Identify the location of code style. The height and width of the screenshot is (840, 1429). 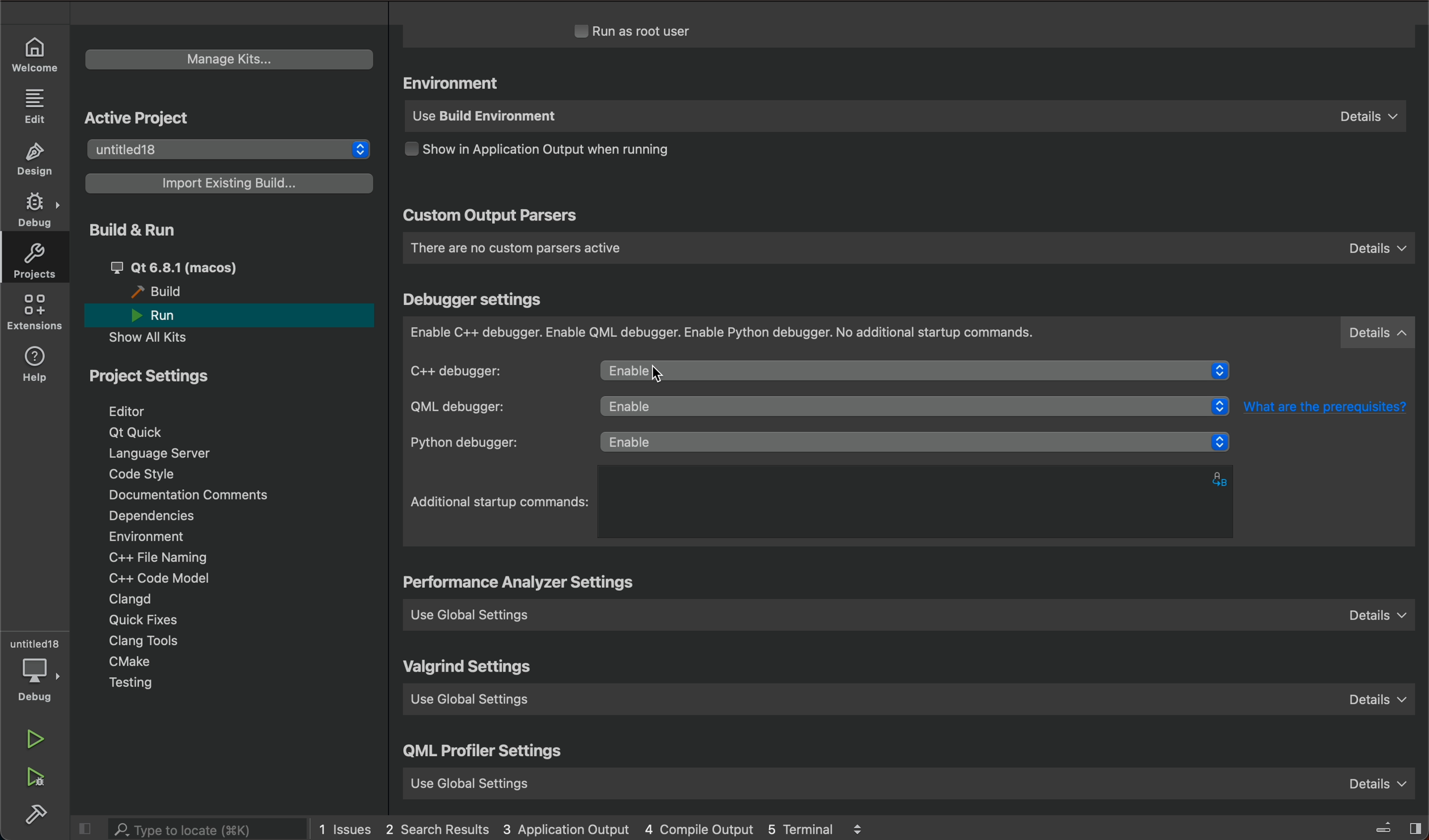
(144, 476).